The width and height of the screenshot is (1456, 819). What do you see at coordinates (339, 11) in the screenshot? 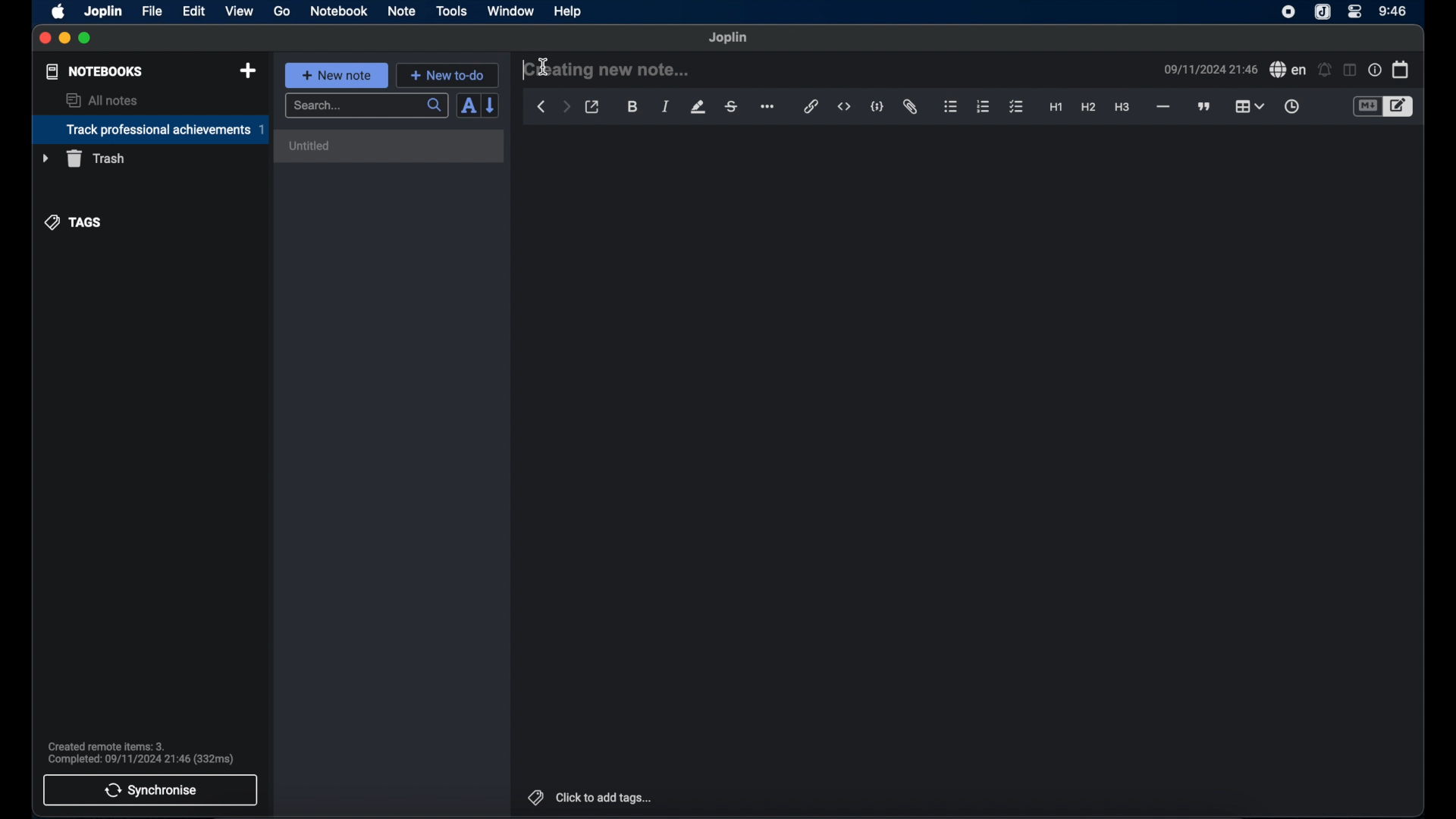
I see `notebook` at bounding box center [339, 11].